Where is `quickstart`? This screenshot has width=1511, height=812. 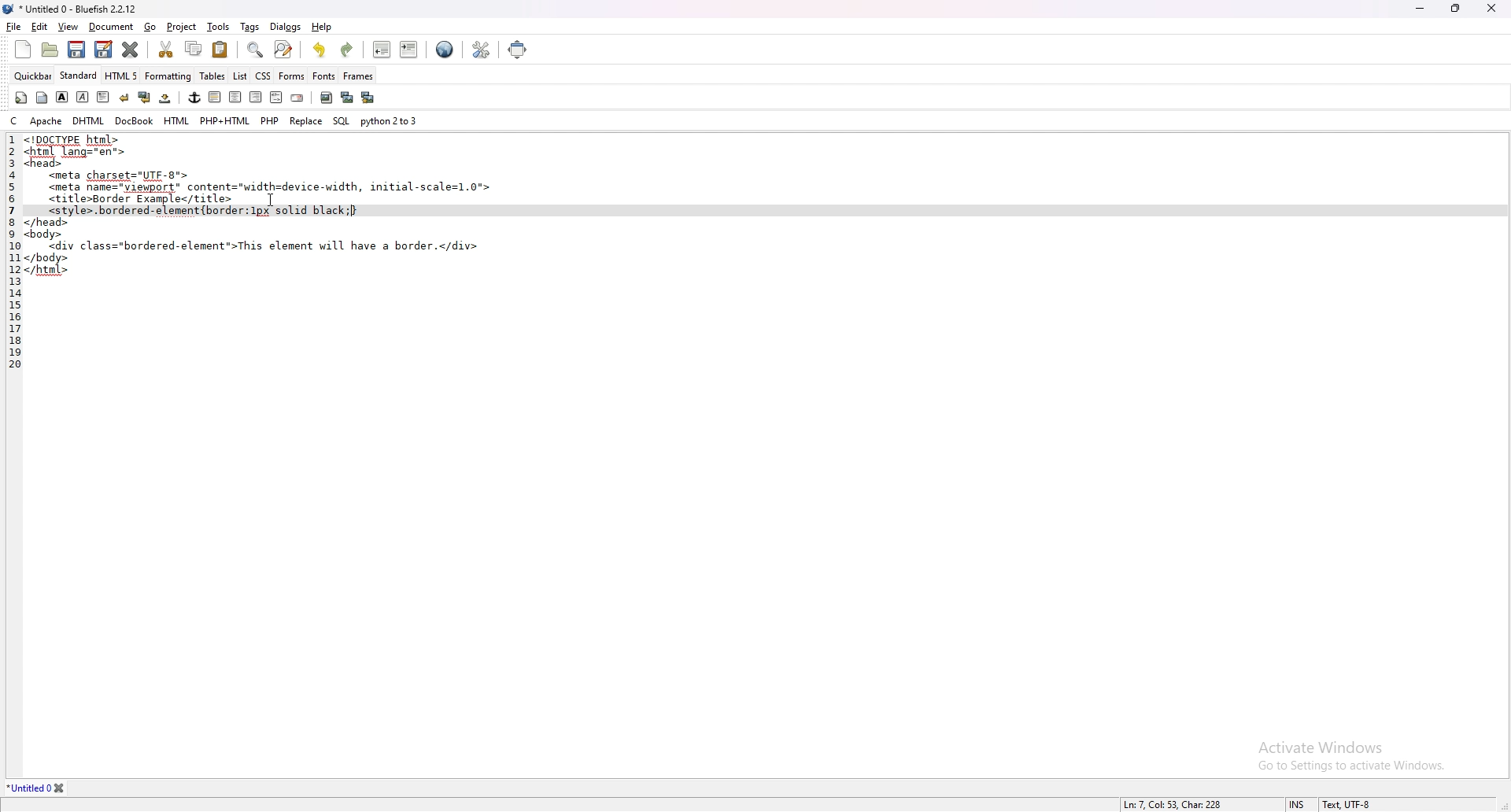
quickstart is located at coordinates (21, 98).